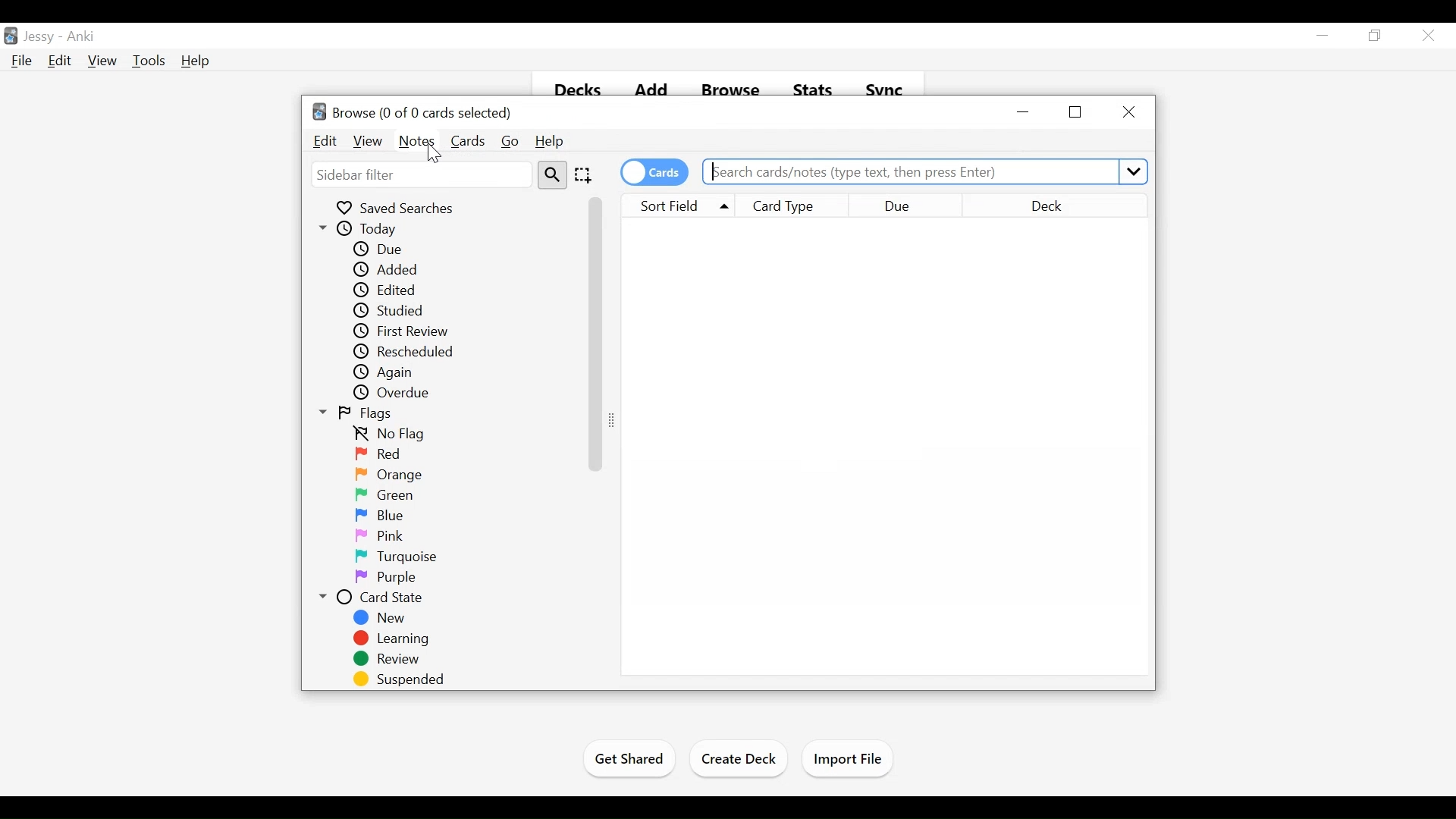  I want to click on Overdue, so click(390, 394).